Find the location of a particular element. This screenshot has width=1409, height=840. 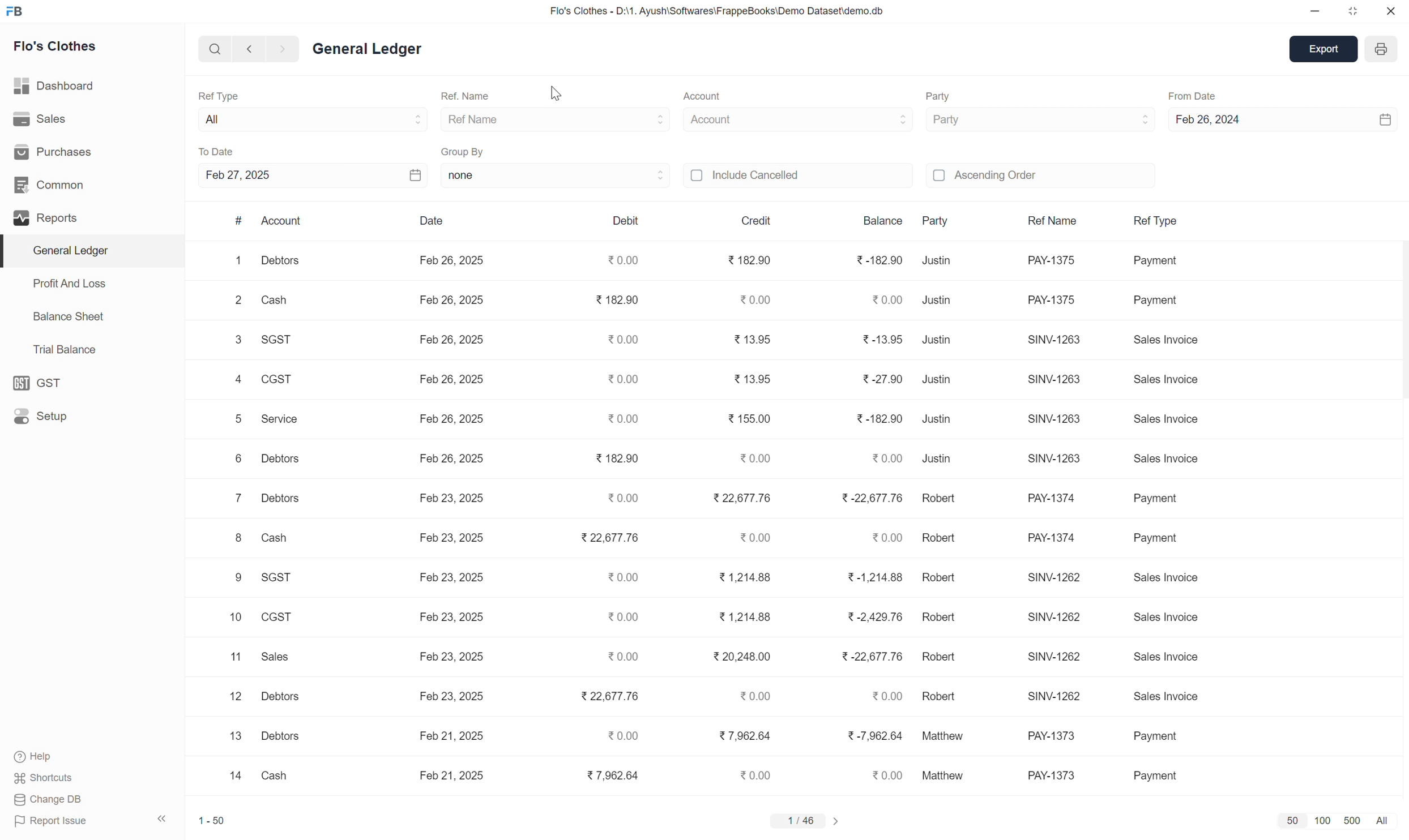

sales invoice is located at coordinates (1164, 380).